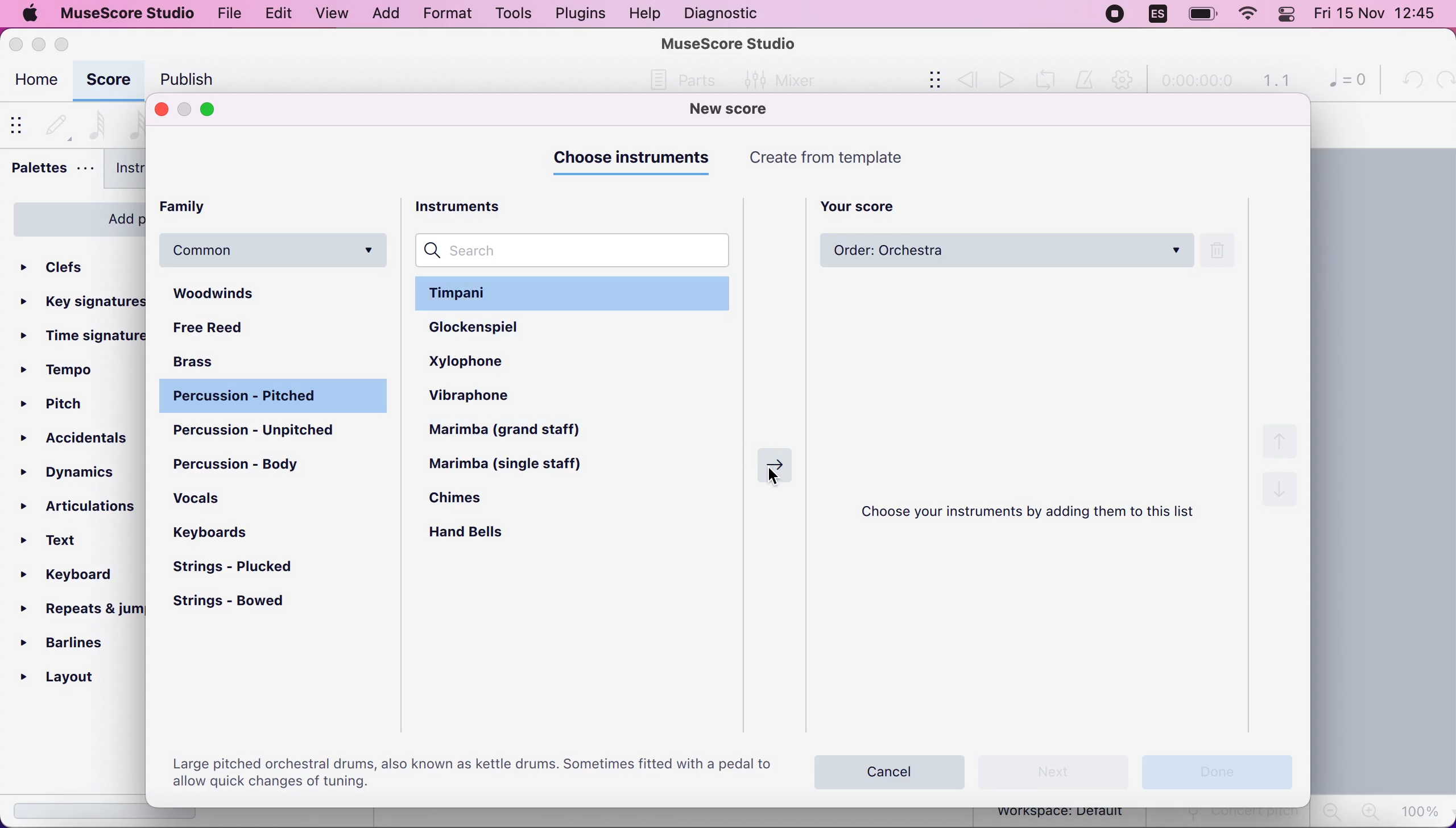 Image resolution: width=1456 pixels, height=828 pixels. I want to click on musescore studio, so click(129, 13).